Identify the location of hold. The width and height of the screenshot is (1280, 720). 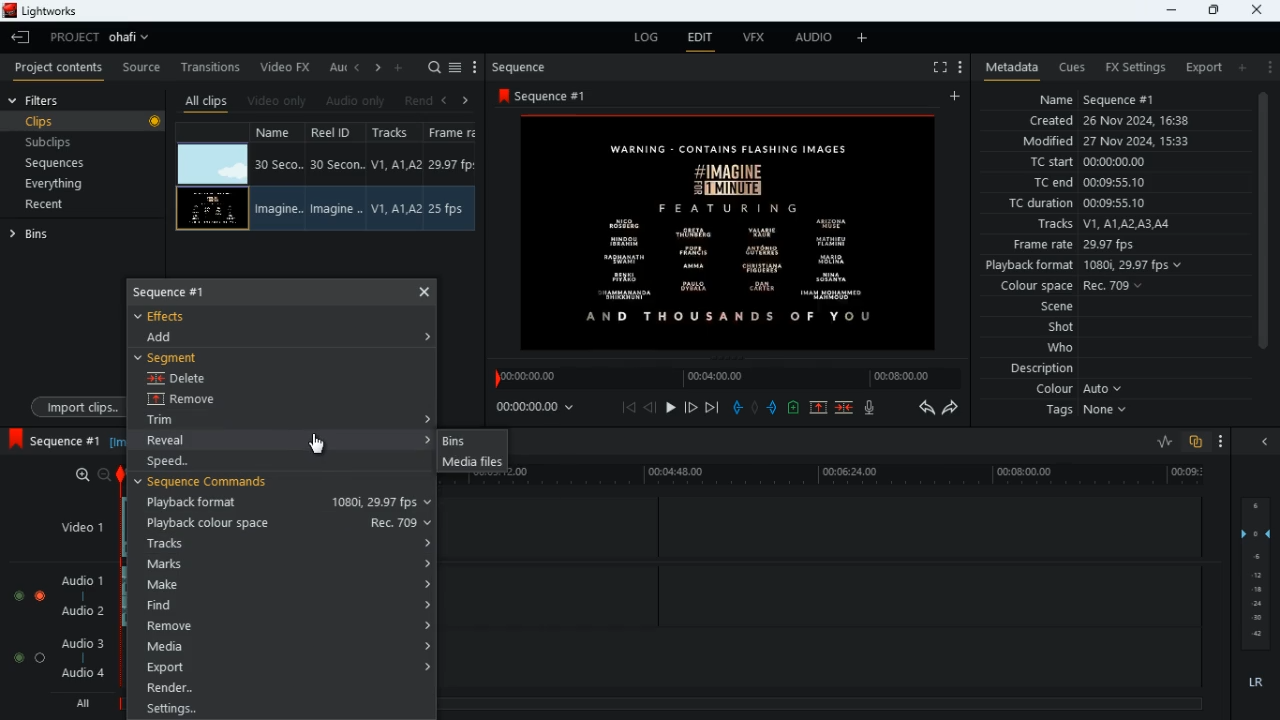
(756, 408).